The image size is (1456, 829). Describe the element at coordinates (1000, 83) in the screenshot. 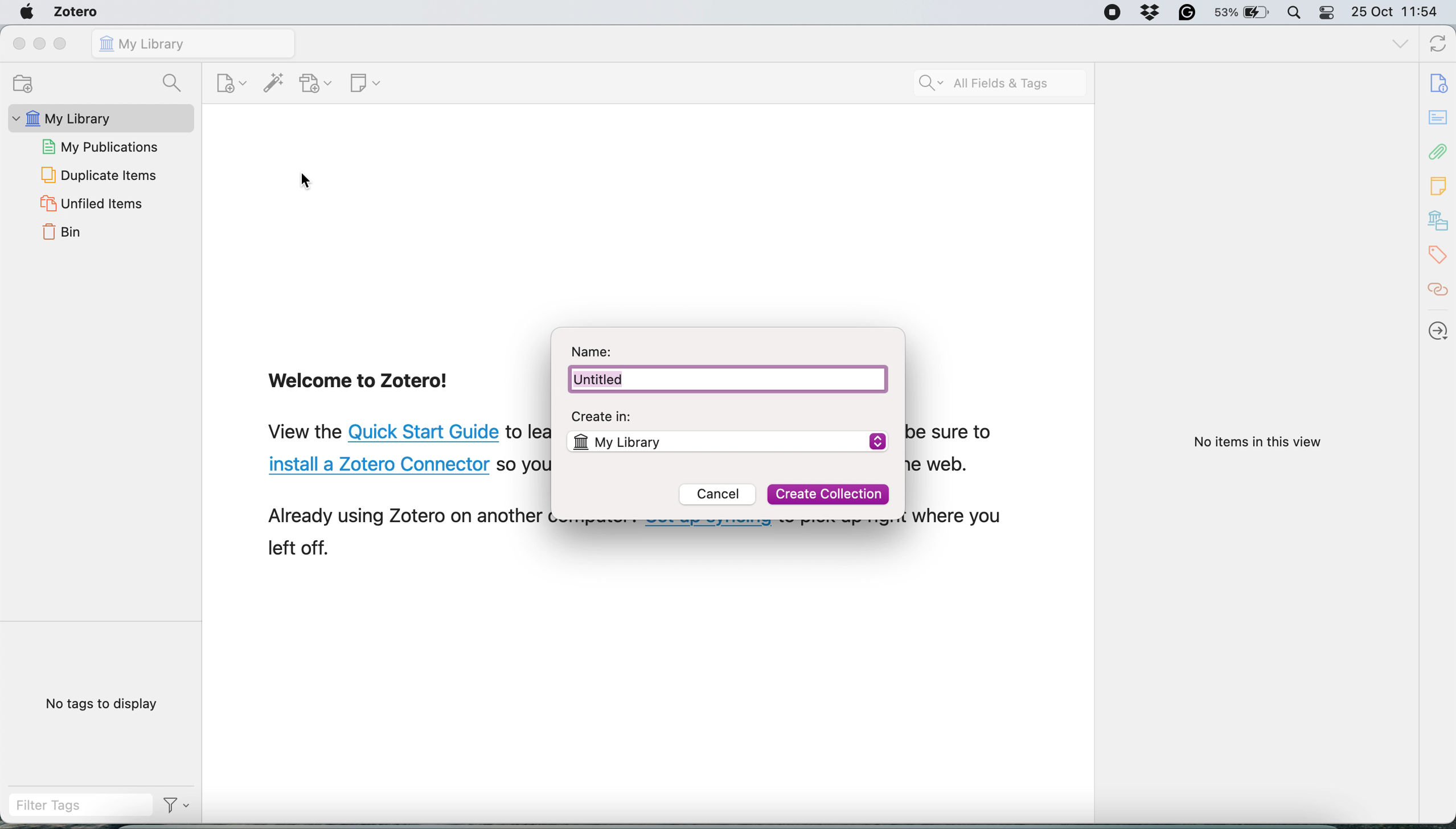

I see `search` at that location.